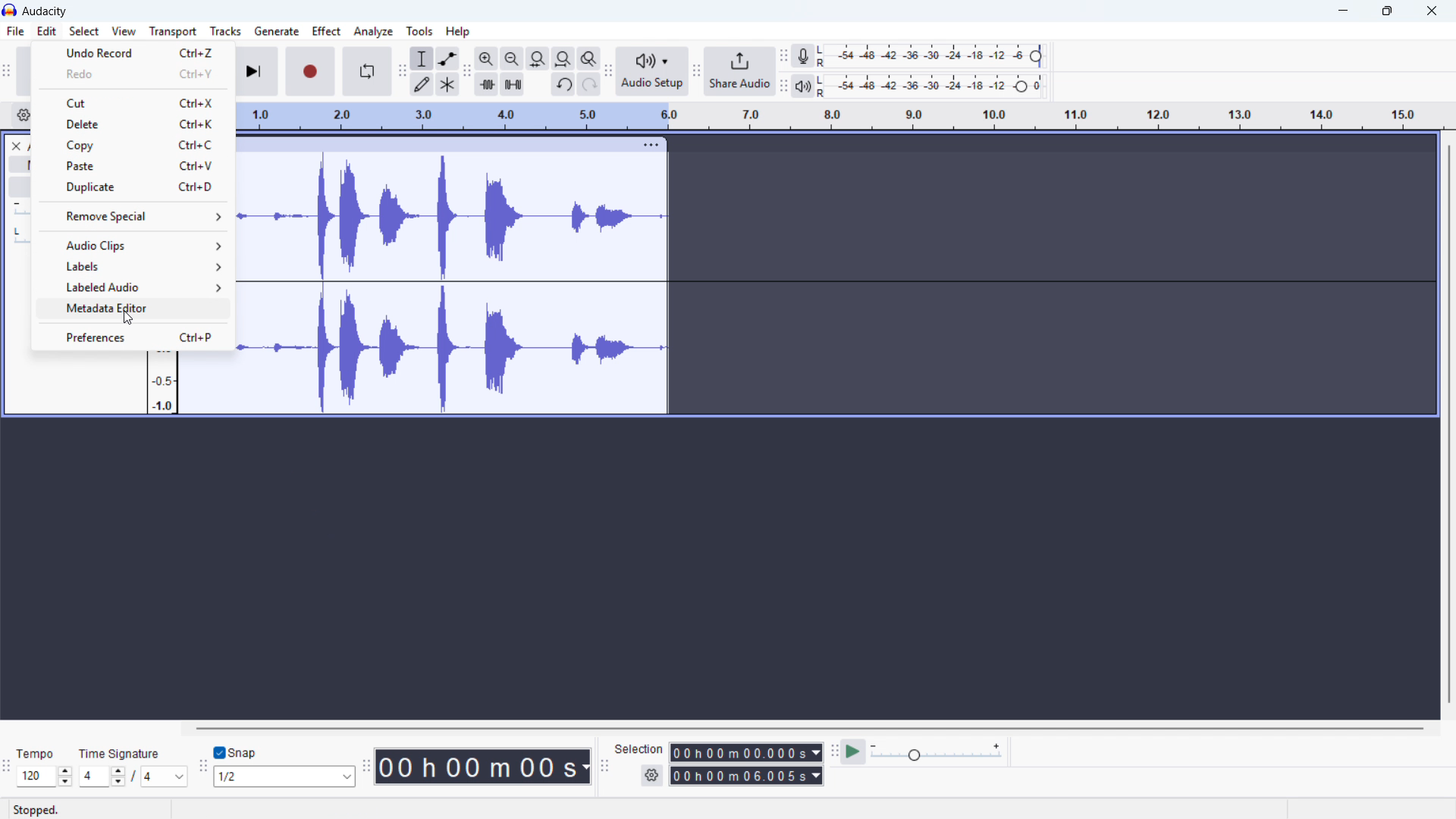  Describe the element at coordinates (697, 71) in the screenshot. I see `share audio toolbar` at that location.